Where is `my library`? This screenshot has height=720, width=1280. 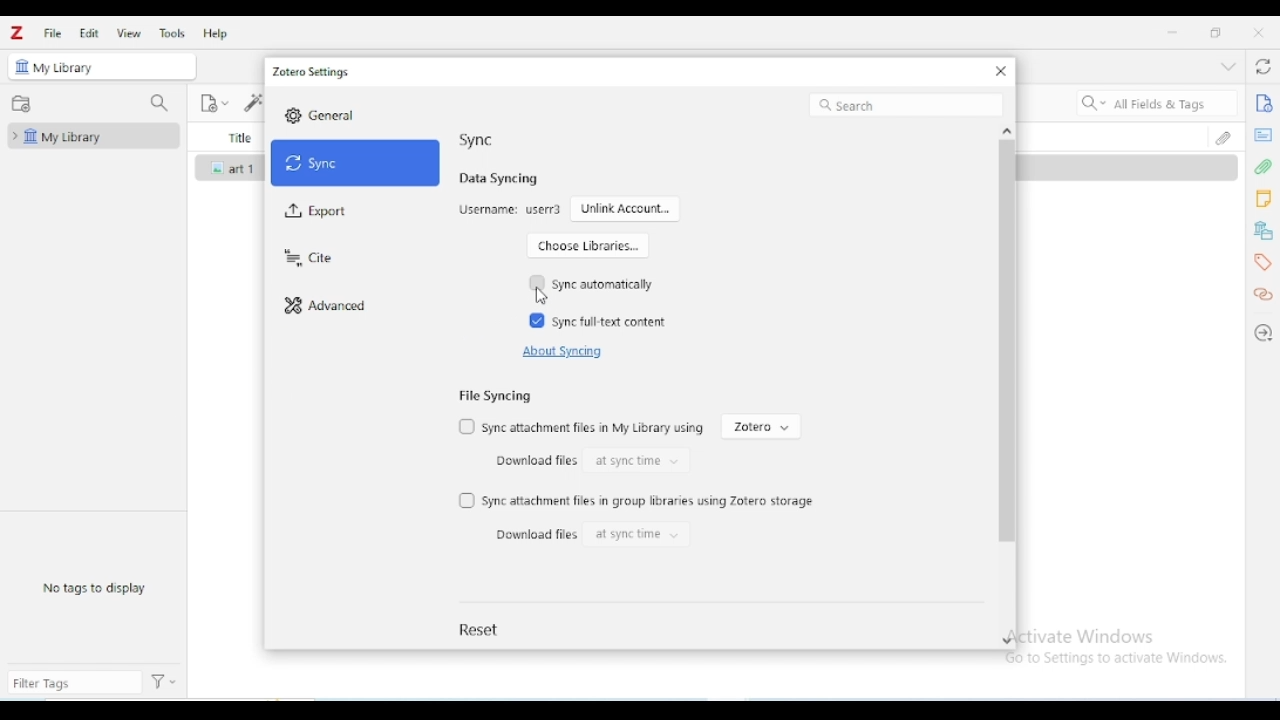
my library is located at coordinates (66, 68).